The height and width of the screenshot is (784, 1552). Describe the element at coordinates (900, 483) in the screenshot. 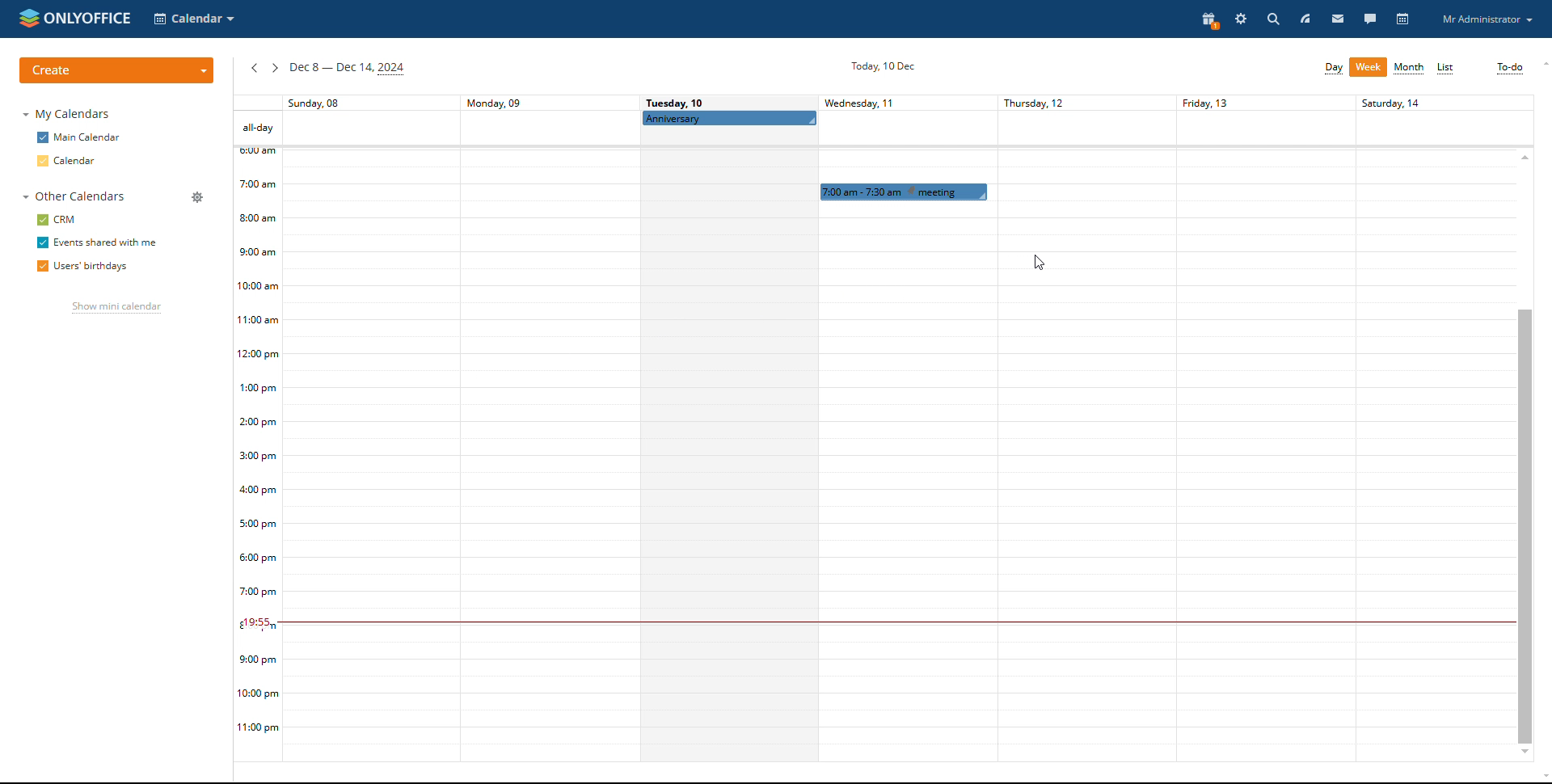

I see `wednesday` at that location.